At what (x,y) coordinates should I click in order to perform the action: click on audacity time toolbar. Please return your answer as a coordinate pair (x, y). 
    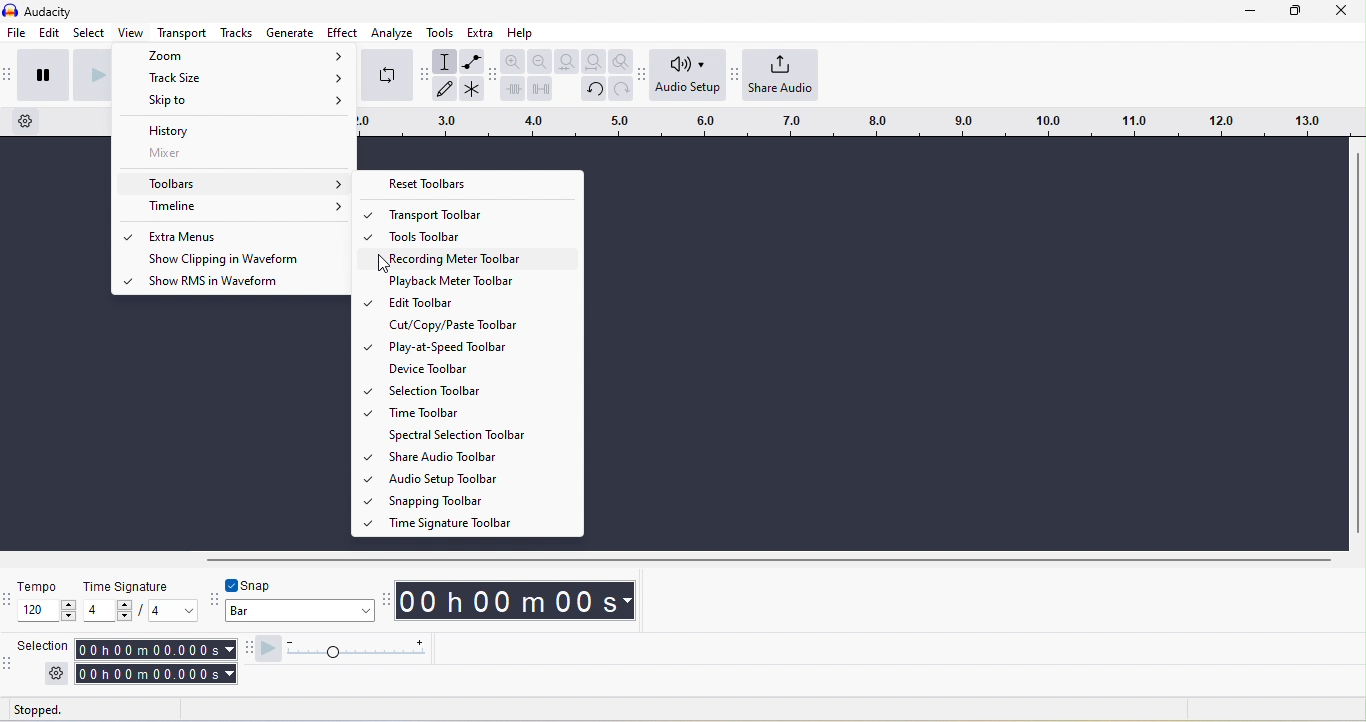
    Looking at the image, I should click on (384, 602).